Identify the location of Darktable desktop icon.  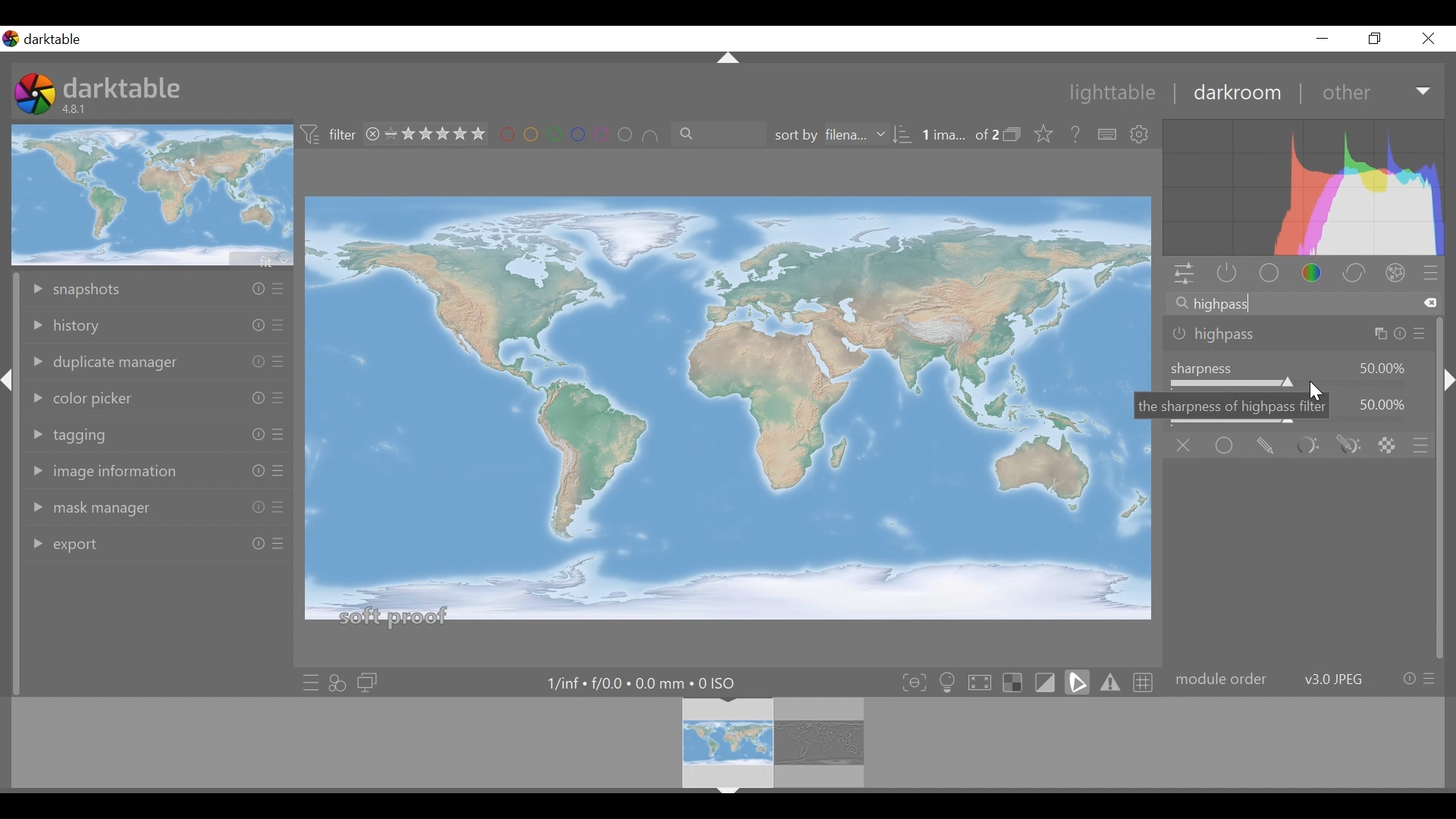
(45, 39).